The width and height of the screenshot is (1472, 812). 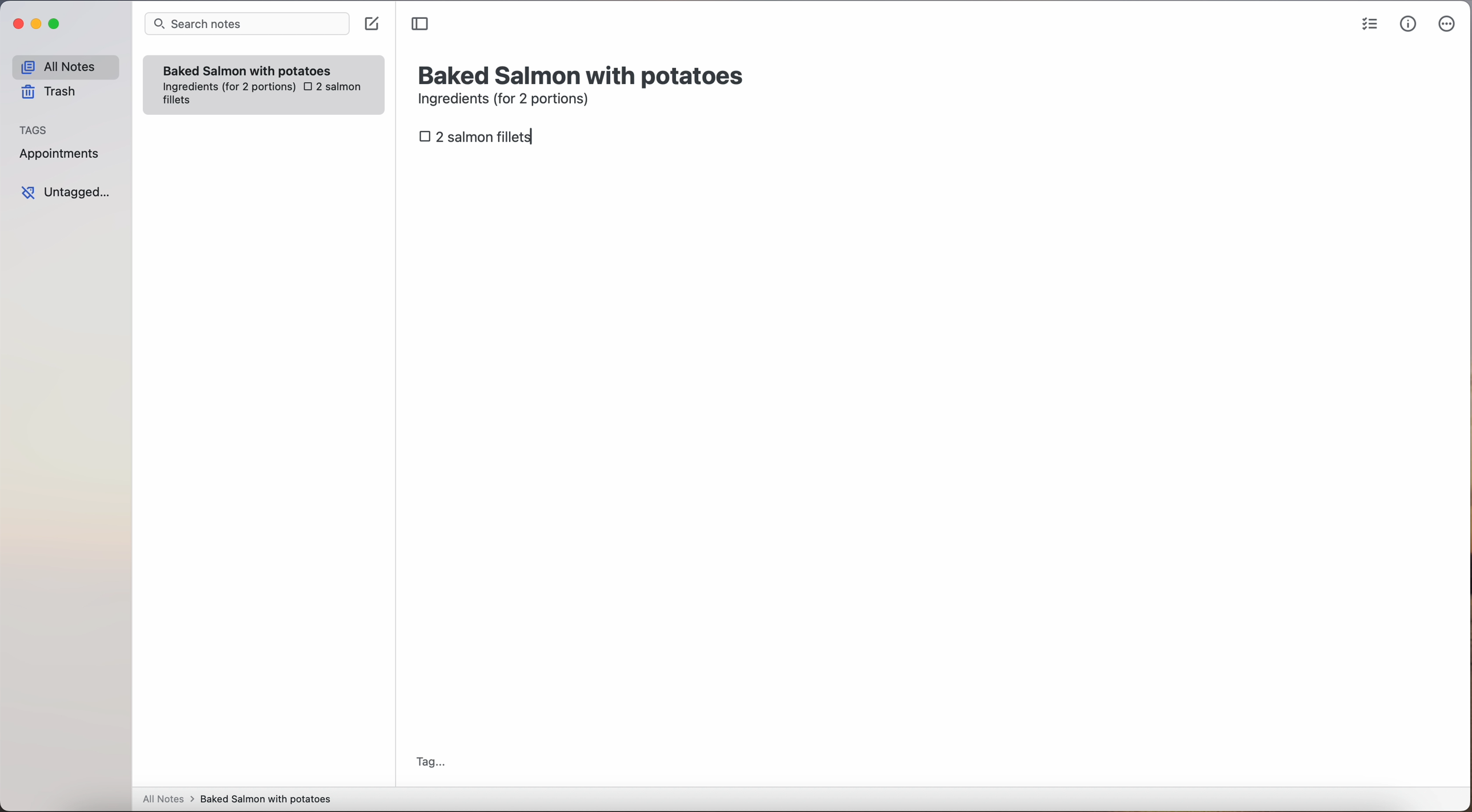 I want to click on maximize, so click(x=56, y=23).